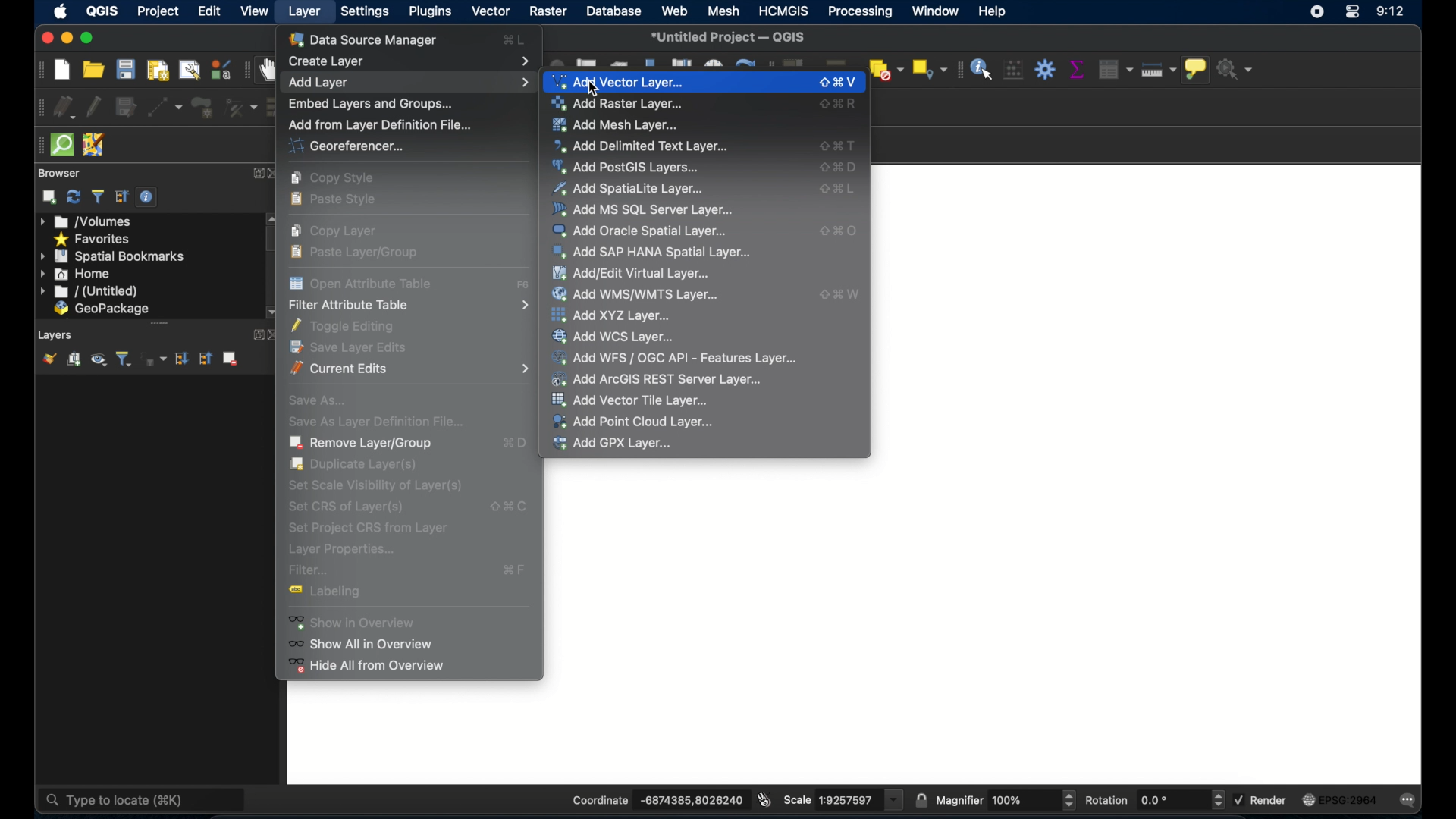 Image resolution: width=1456 pixels, height=819 pixels. What do you see at coordinates (61, 12) in the screenshot?
I see `appleicon` at bounding box center [61, 12].